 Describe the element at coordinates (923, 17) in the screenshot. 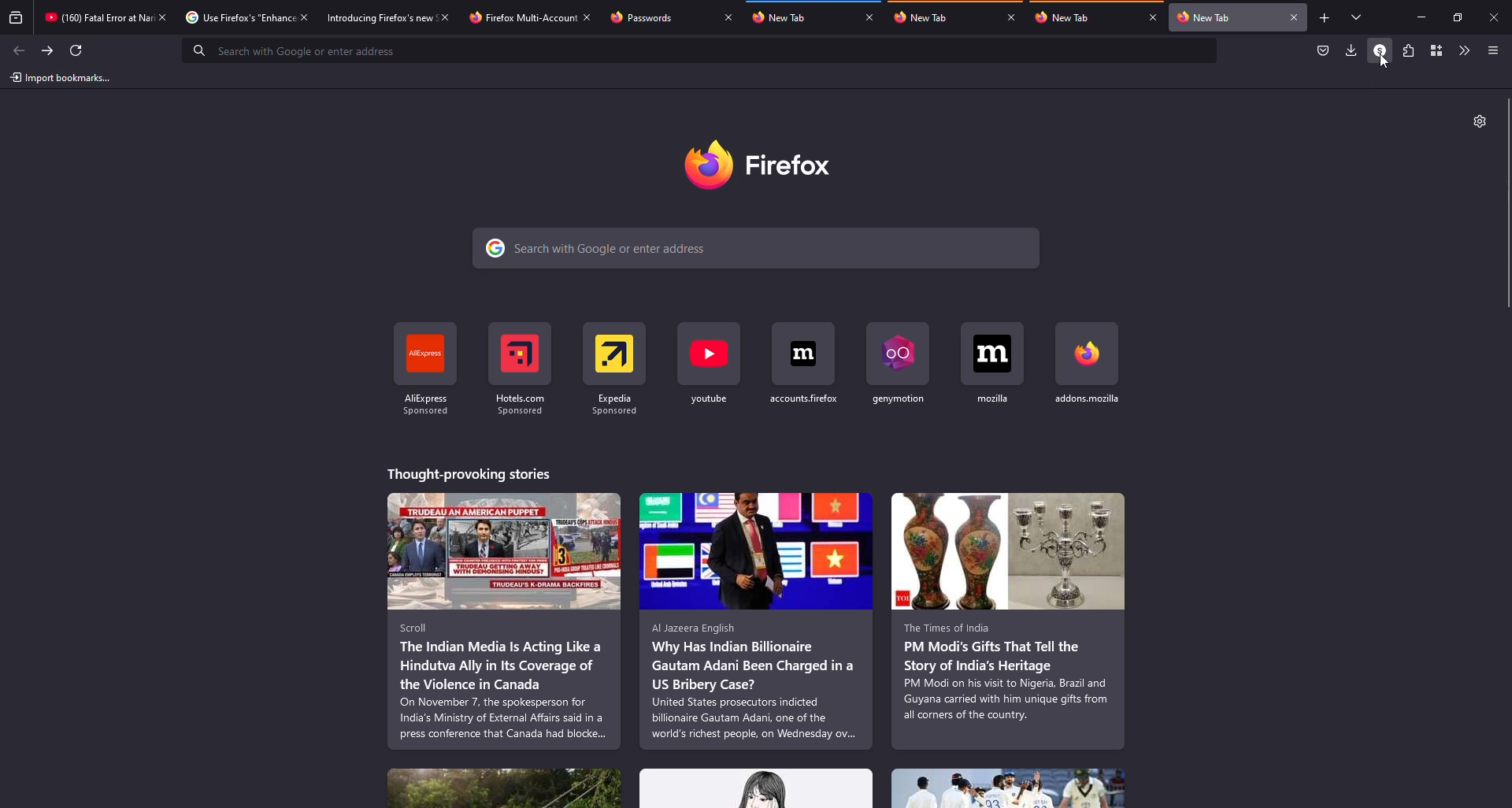

I see `tab` at that location.